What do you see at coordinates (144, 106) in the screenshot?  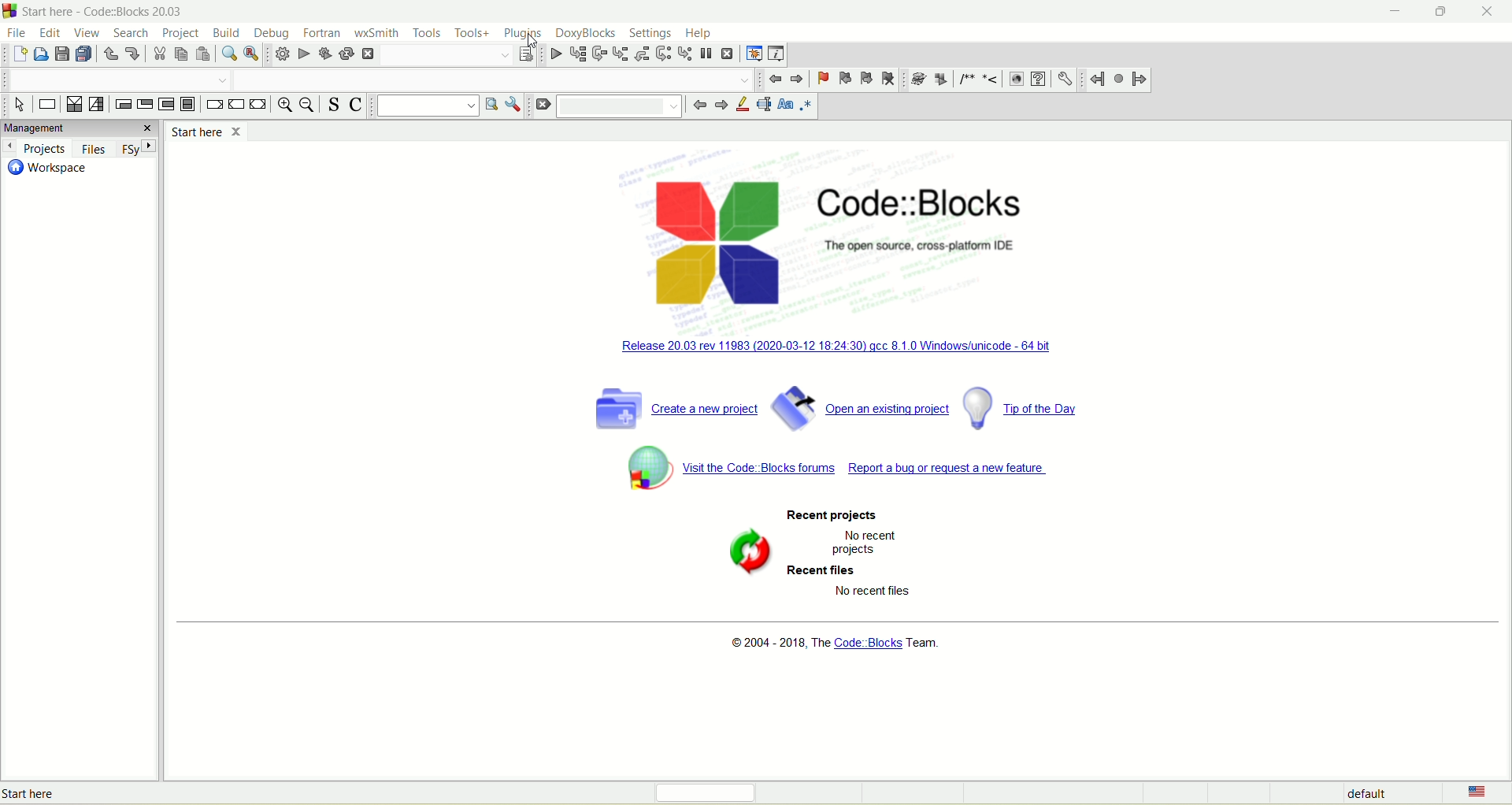 I see `exit condition loop` at bounding box center [144, 106].